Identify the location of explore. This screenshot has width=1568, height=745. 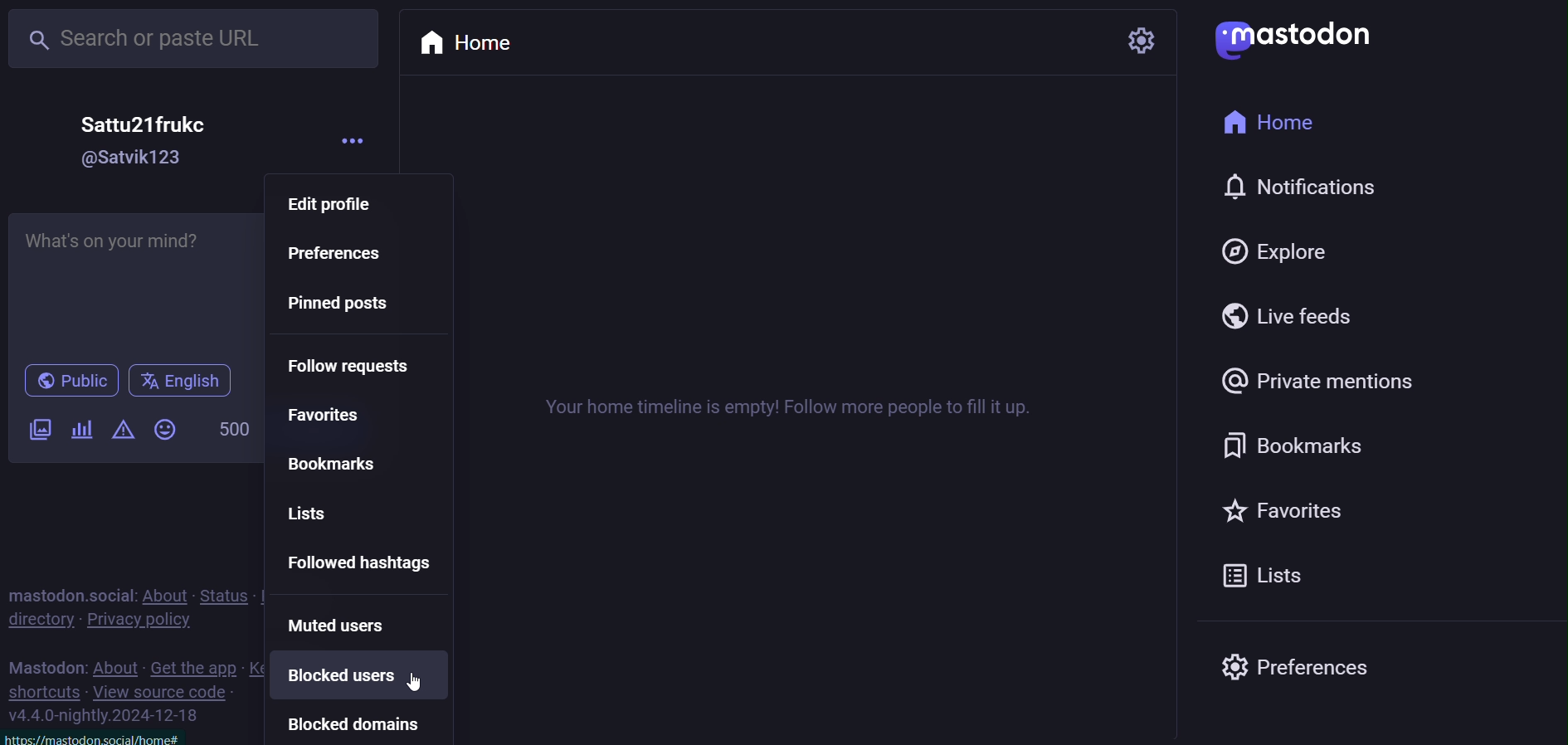
(1300, 254).